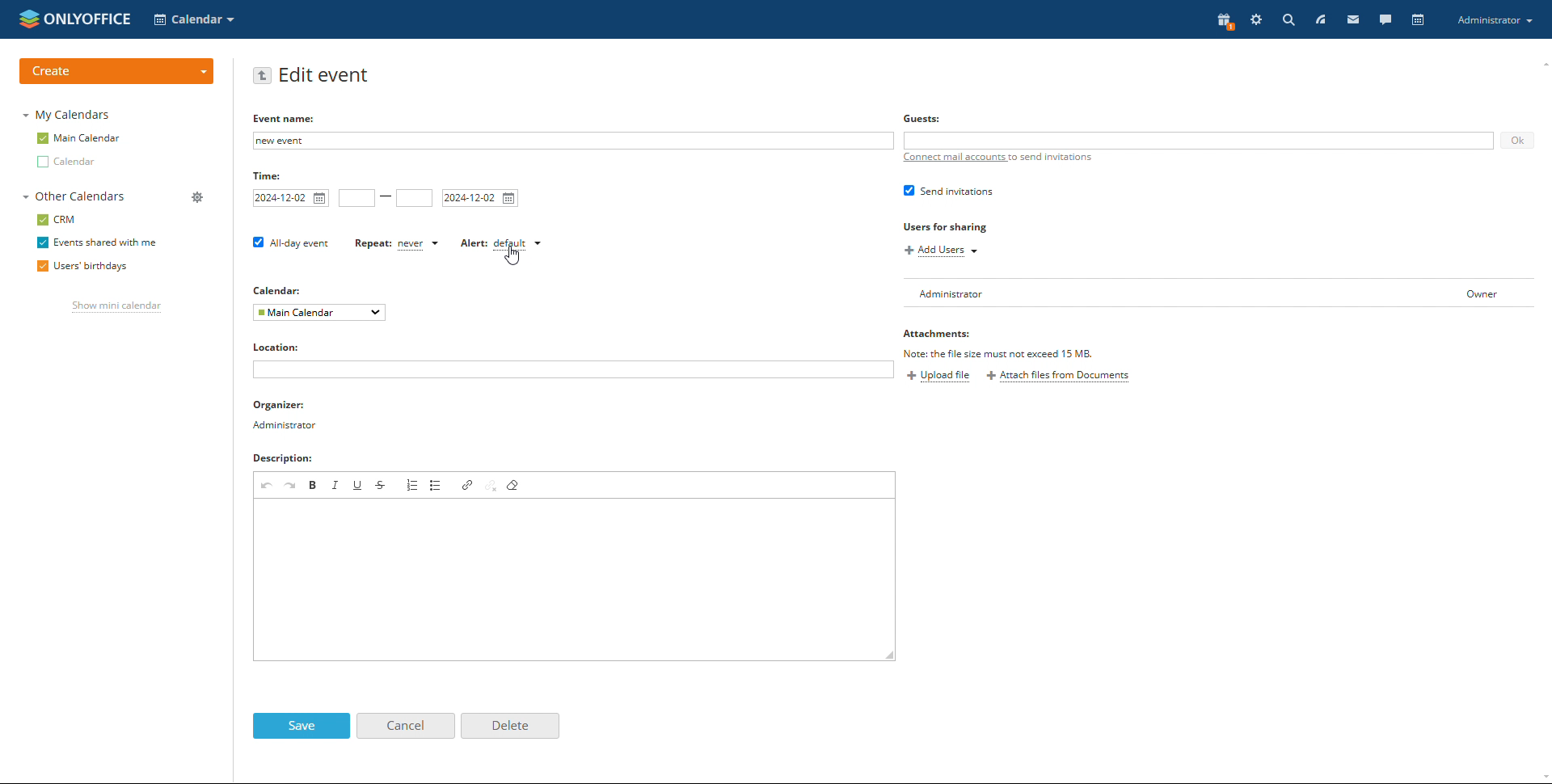 This screenshot has width=1552, height=784. Describe the element at coordinates (491, 485) in the screenshot. I see `unlink` at that location.